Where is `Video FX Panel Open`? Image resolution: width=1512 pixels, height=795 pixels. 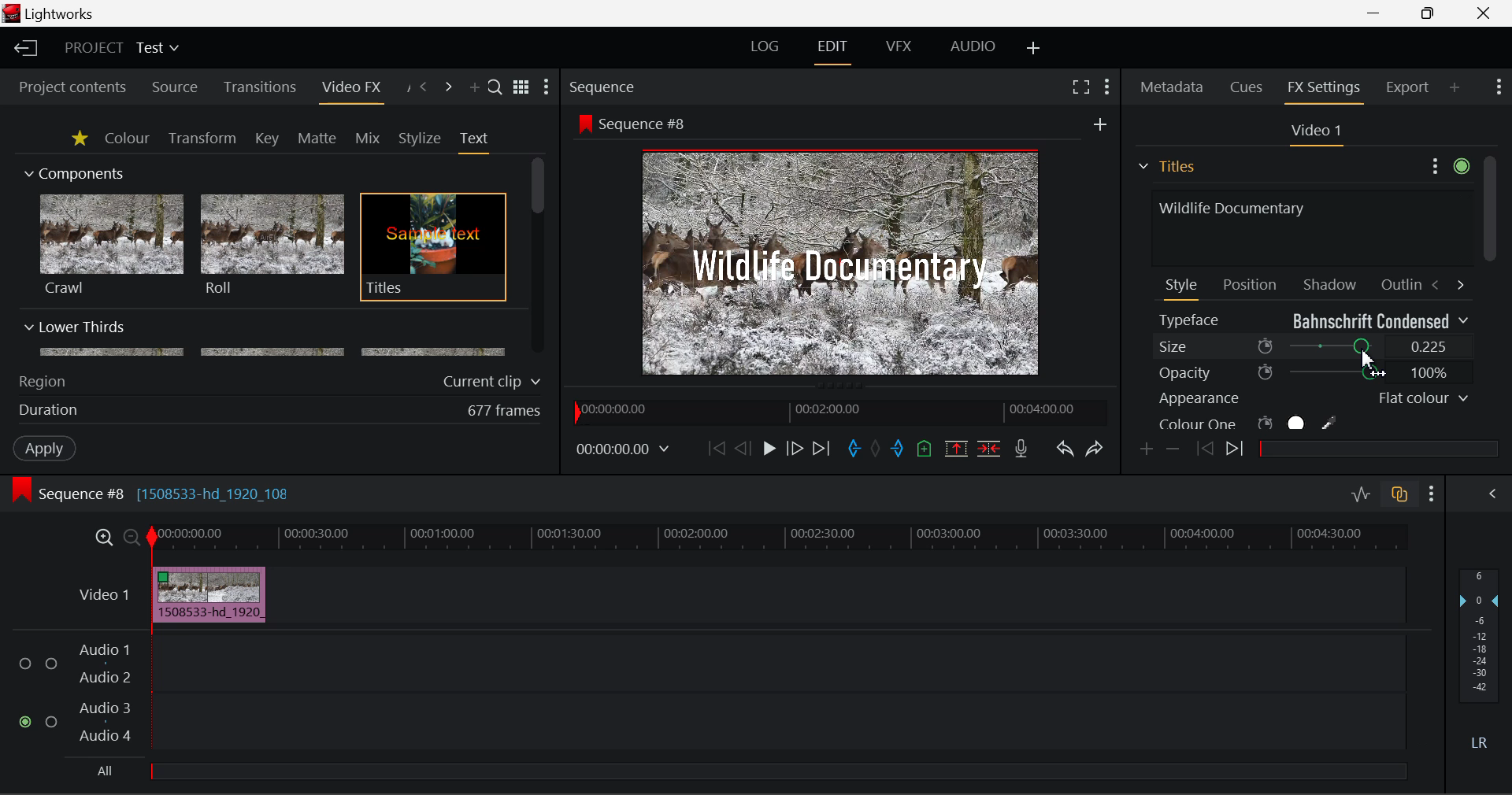
Video FX Panel Open is located at coordinates (350, 89).